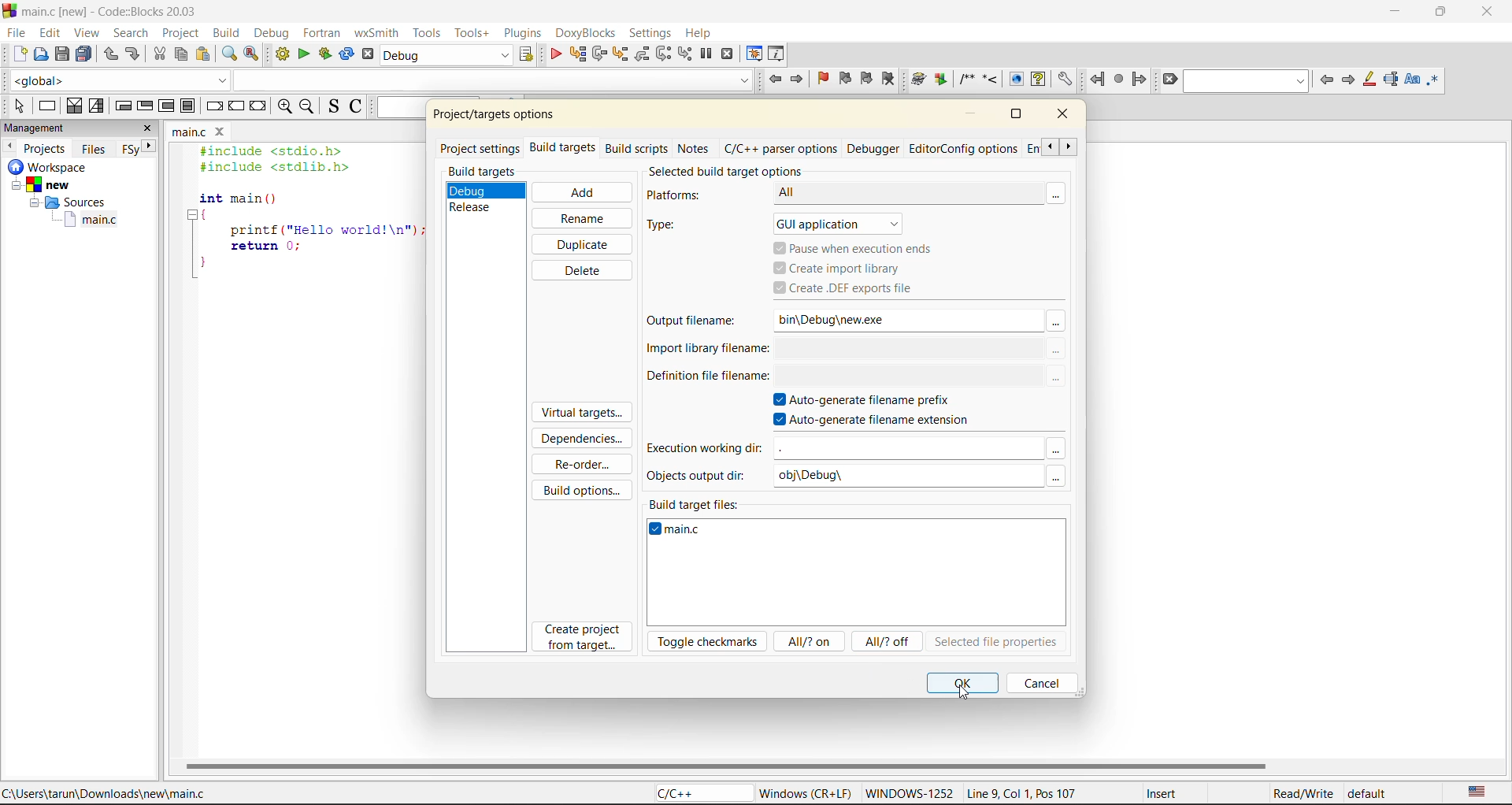  I want to click on toggle comments, so click(357, 107).